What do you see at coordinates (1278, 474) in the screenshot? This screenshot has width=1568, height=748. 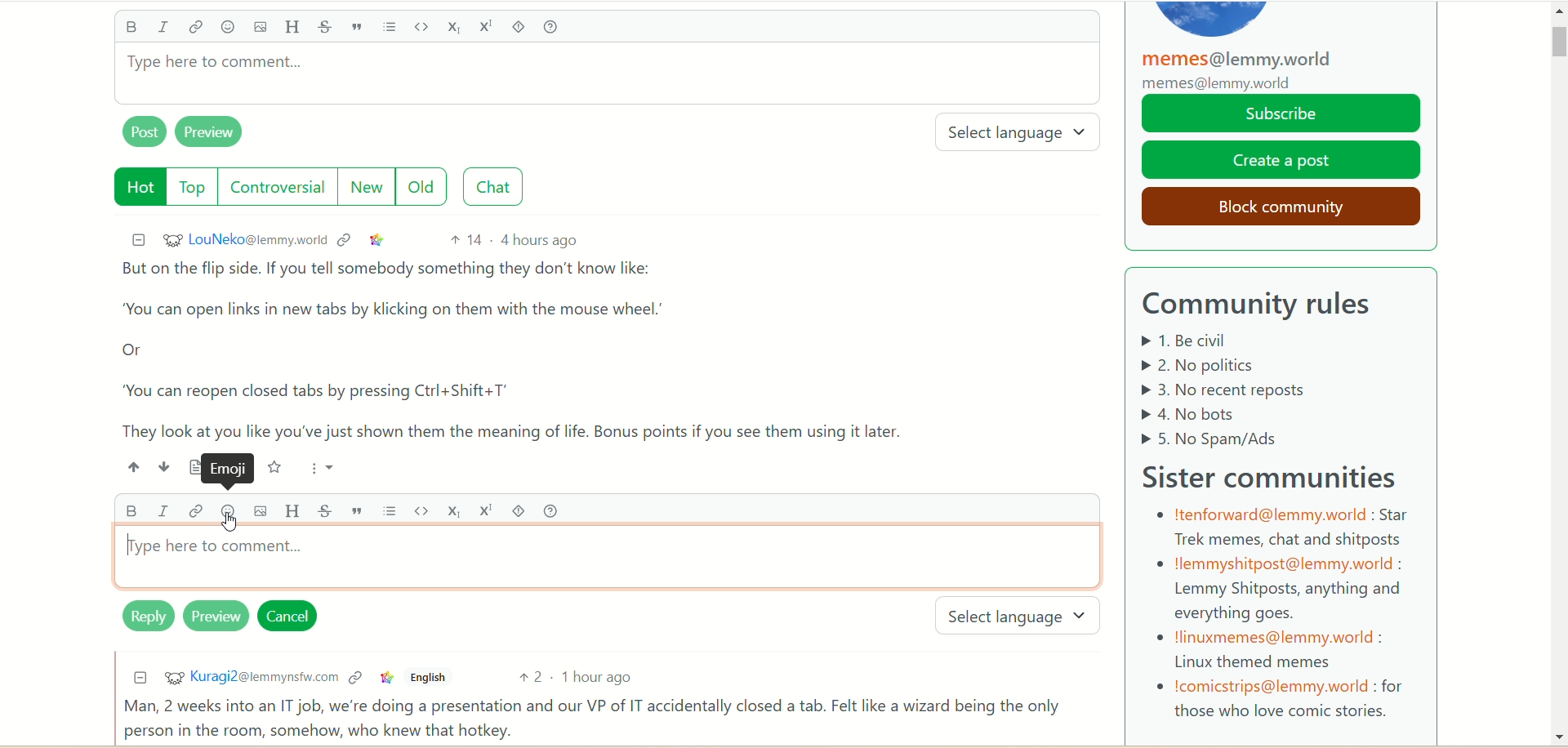 I see `sister community` at bounding box center [1278, 474].